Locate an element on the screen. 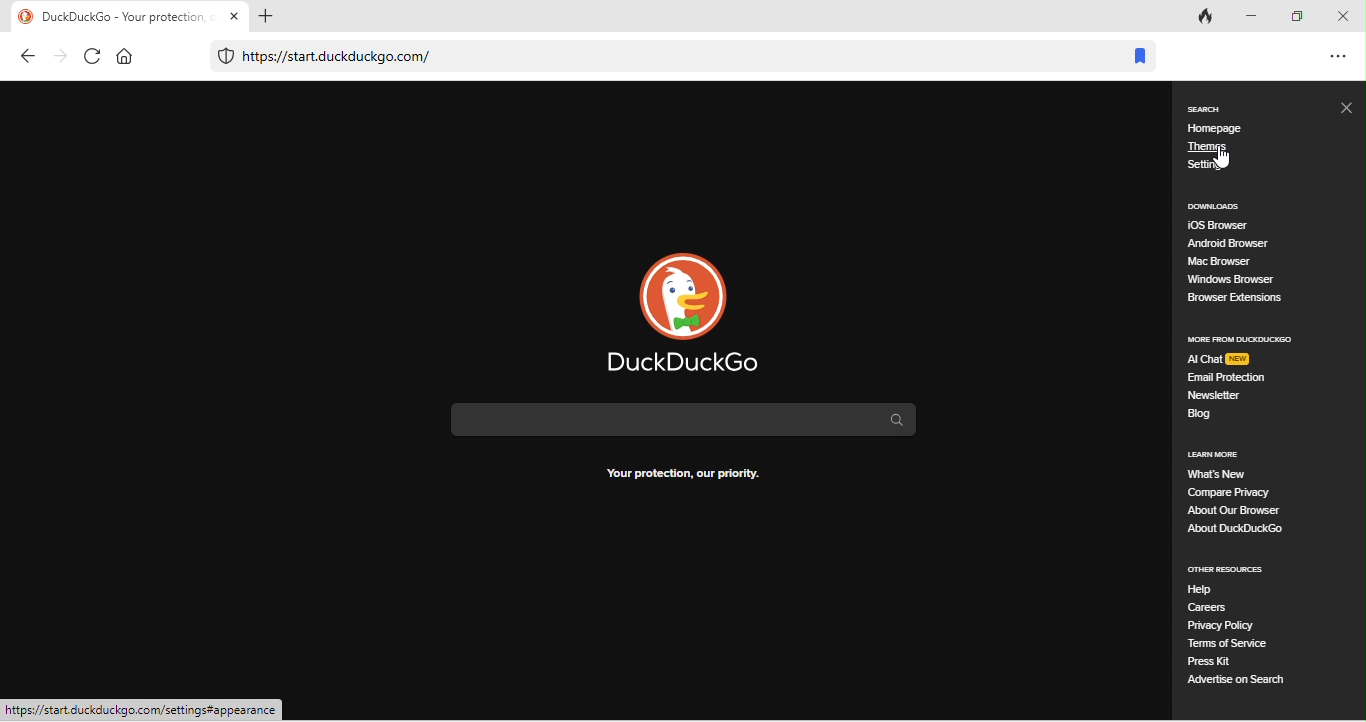 Image resolution: width=1366 pixels, height=722 pixels. refresh is located at coordinates (90, 56).